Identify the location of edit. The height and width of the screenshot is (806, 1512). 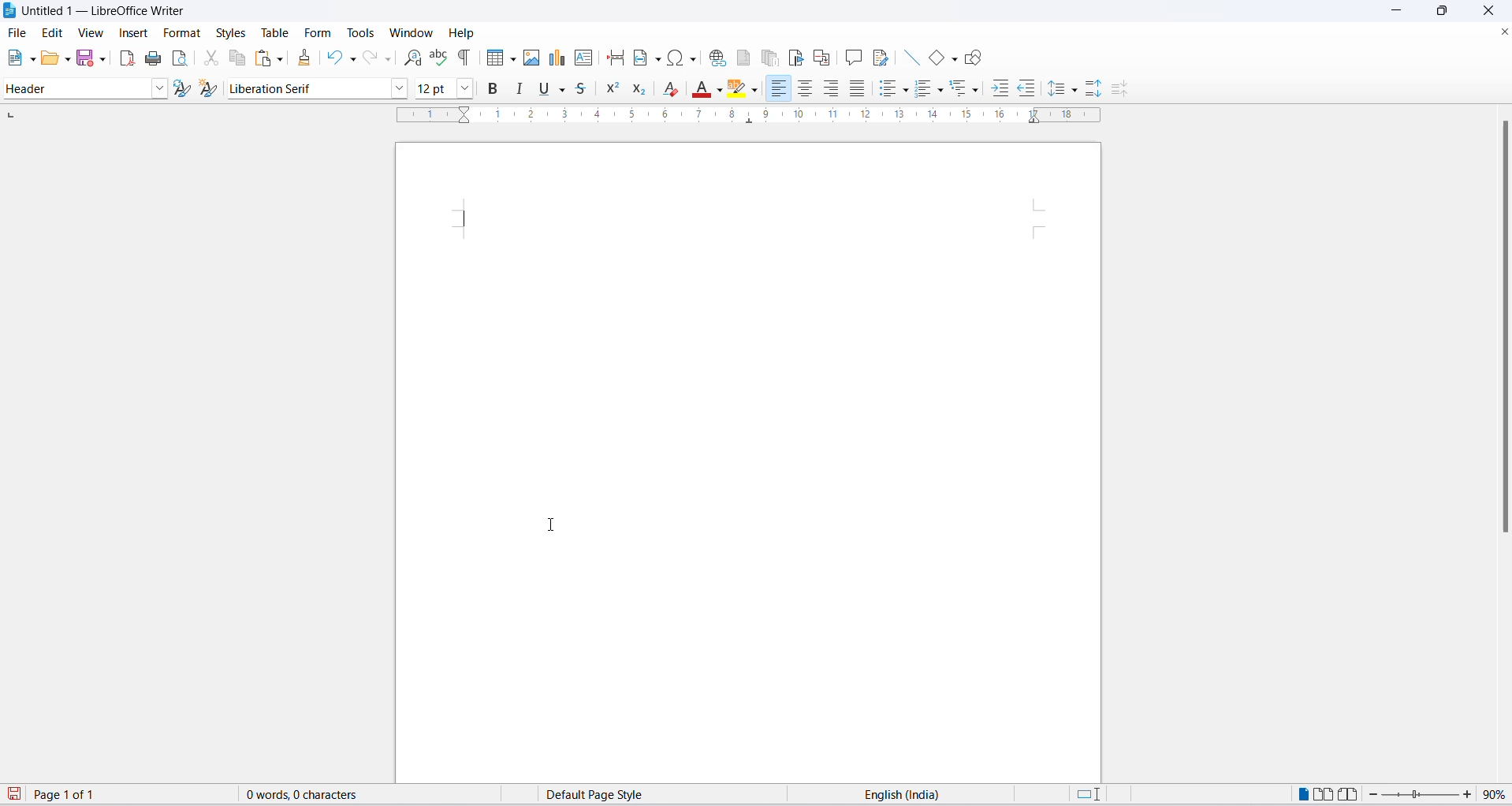
(54, 32).